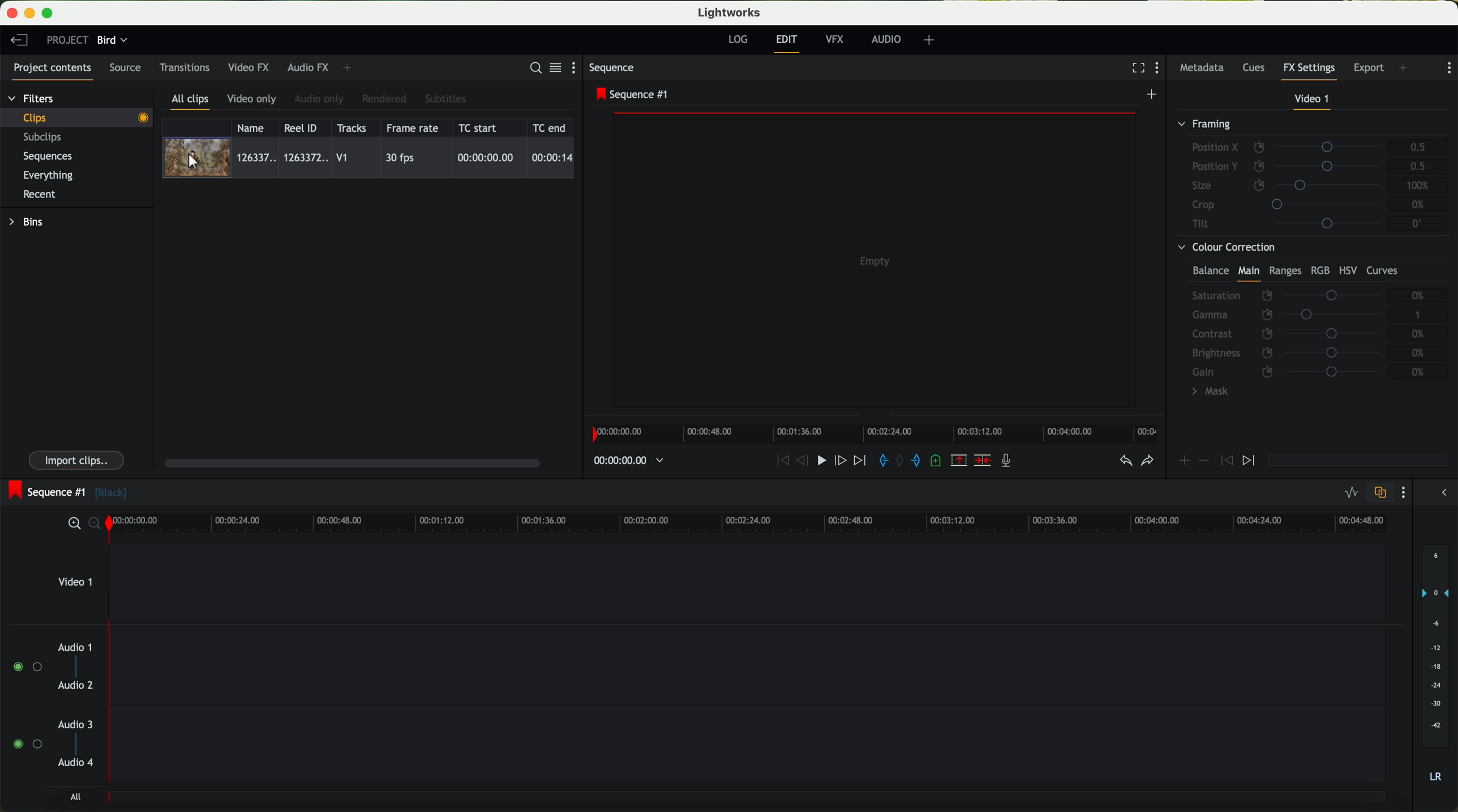  Describe the element at coordinates (931, 40) in the screenshot. I see `add, remove and create layouts` at that location.